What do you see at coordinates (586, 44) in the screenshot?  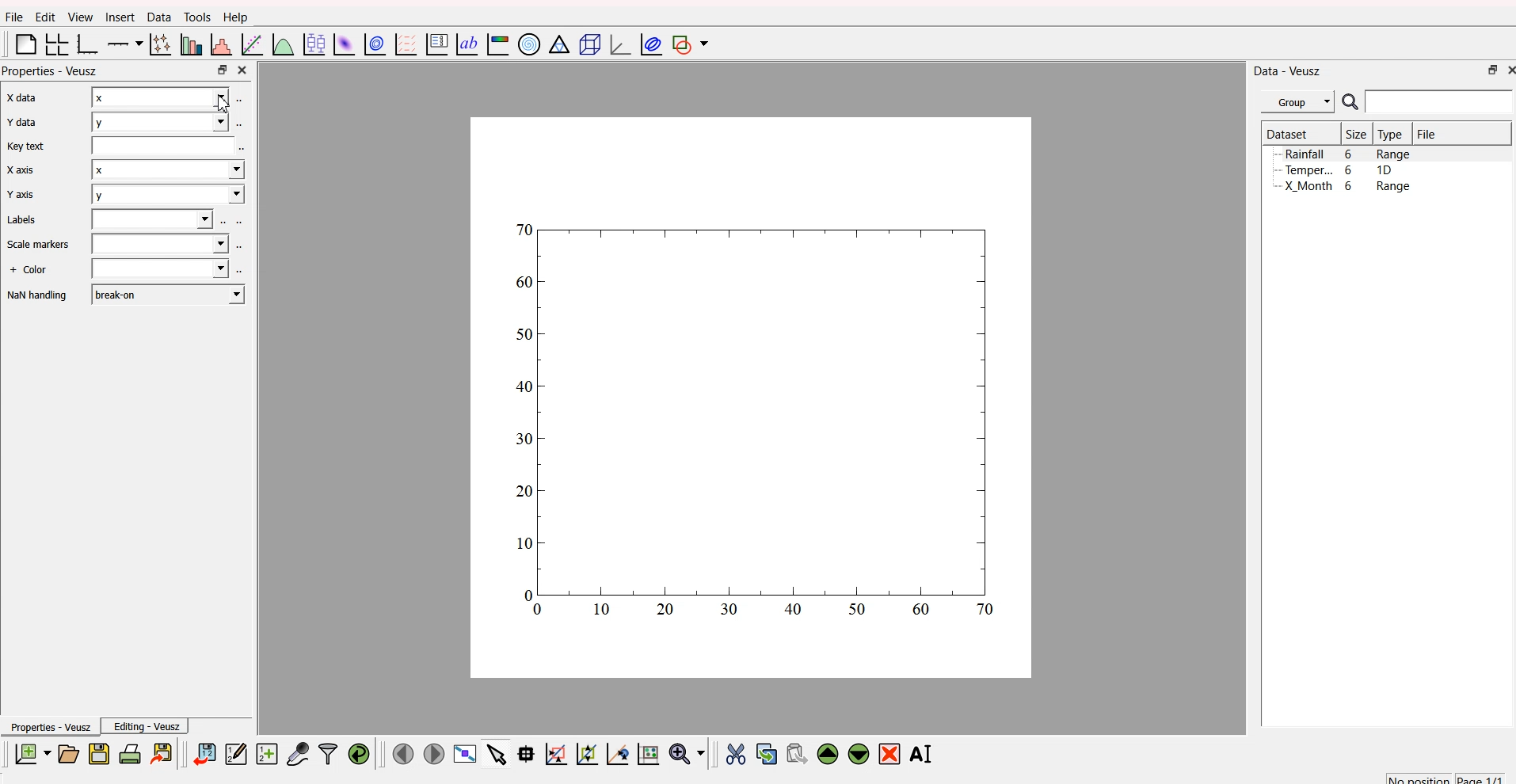 I see `3D scene` at bounding box center [586, 44].